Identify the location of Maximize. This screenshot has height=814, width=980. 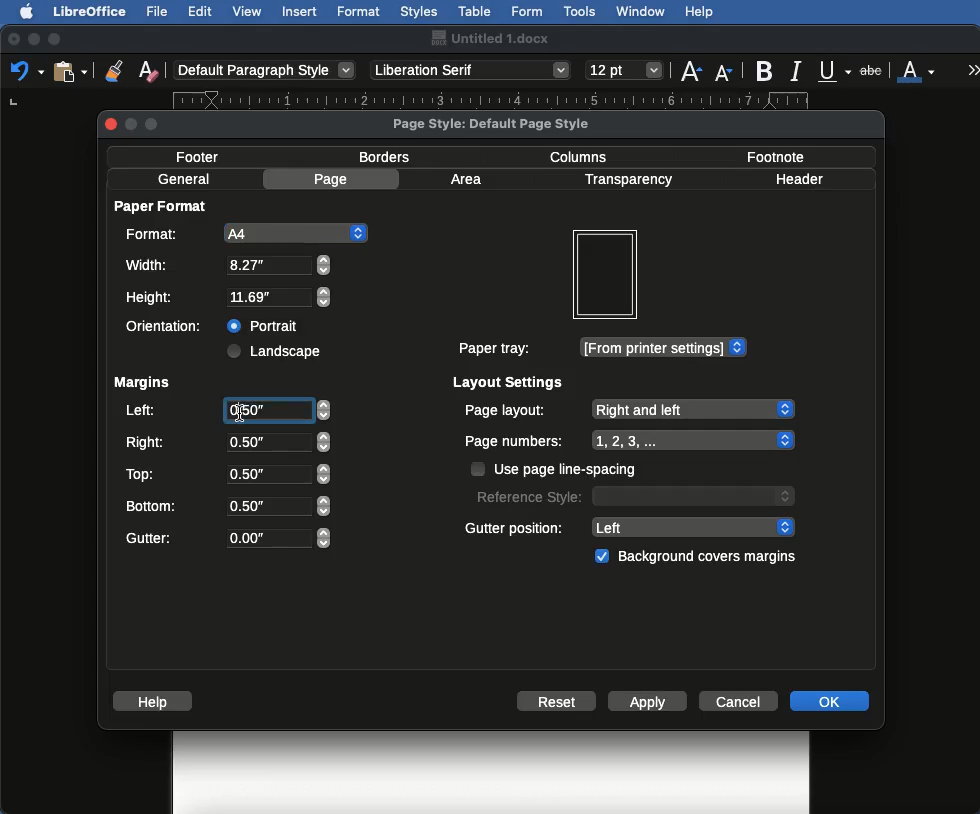
(56, 39).